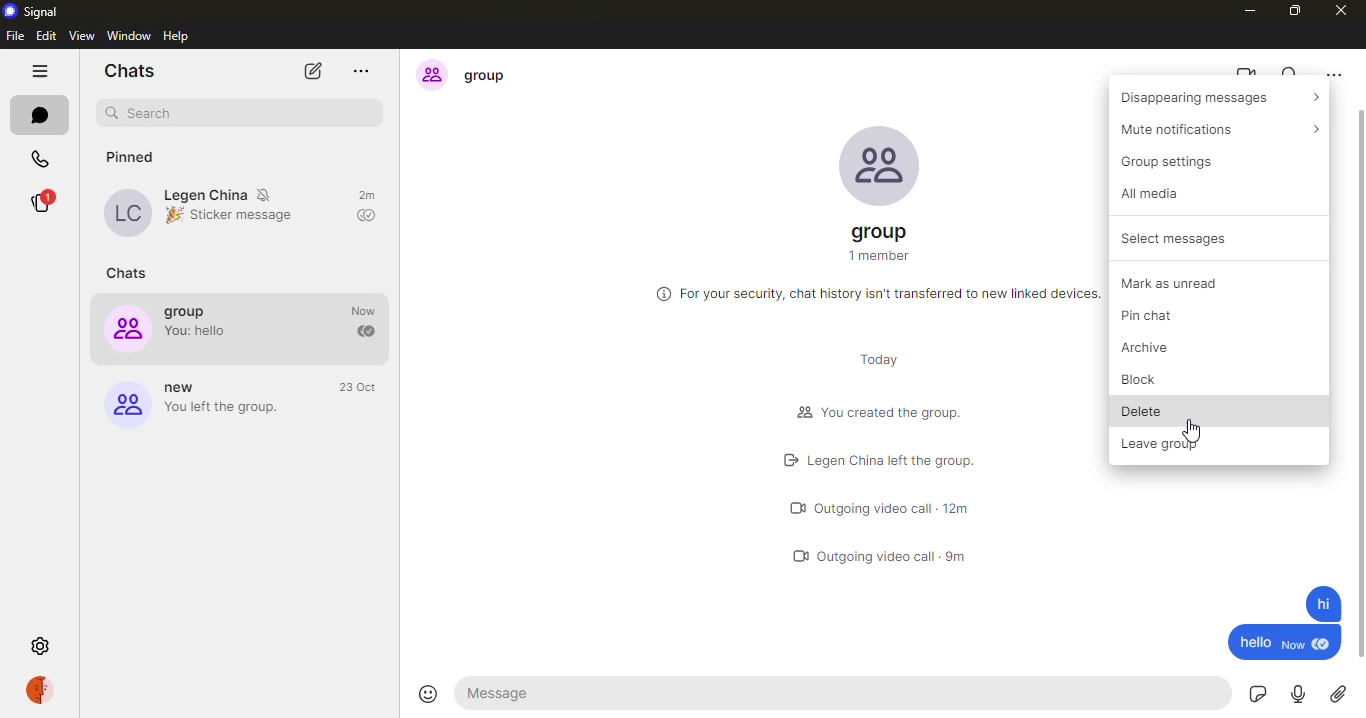  I want to click on hello, so click(1253, 644).